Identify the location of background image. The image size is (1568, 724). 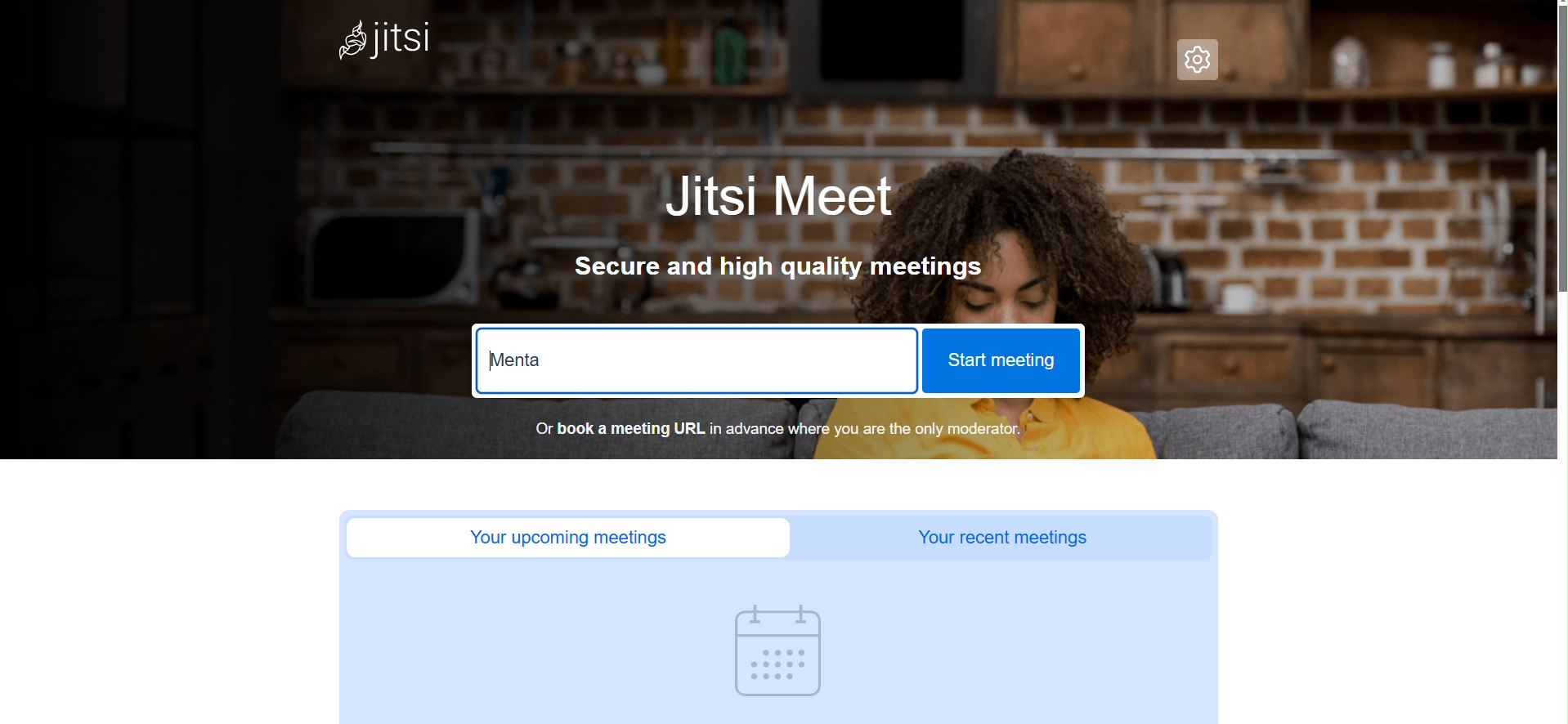
(715, 112).